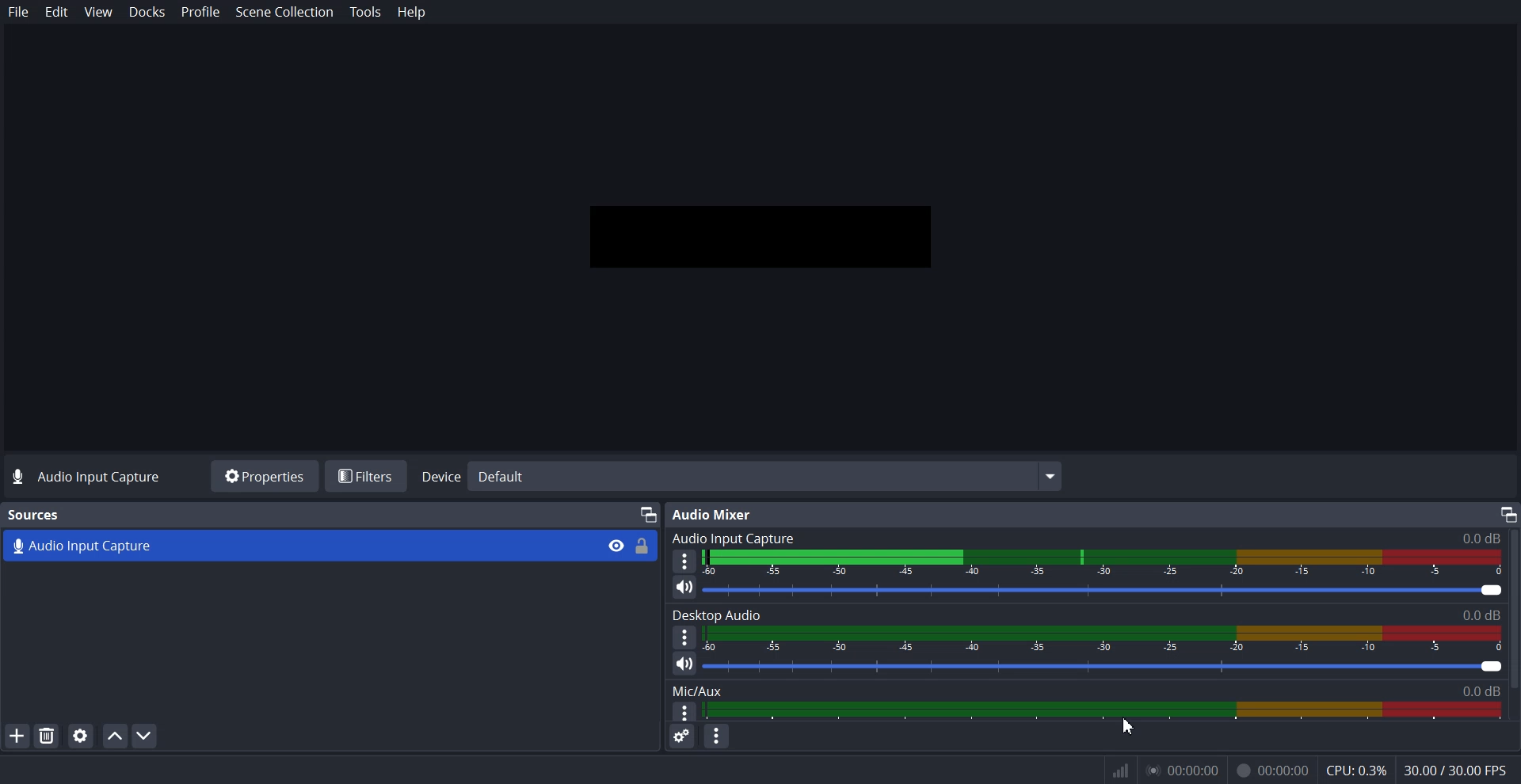 This screenshot has width=1521, height=784. Describe the element at coordinates (367, 13) in the screenshot. I see `Tools` at that location.